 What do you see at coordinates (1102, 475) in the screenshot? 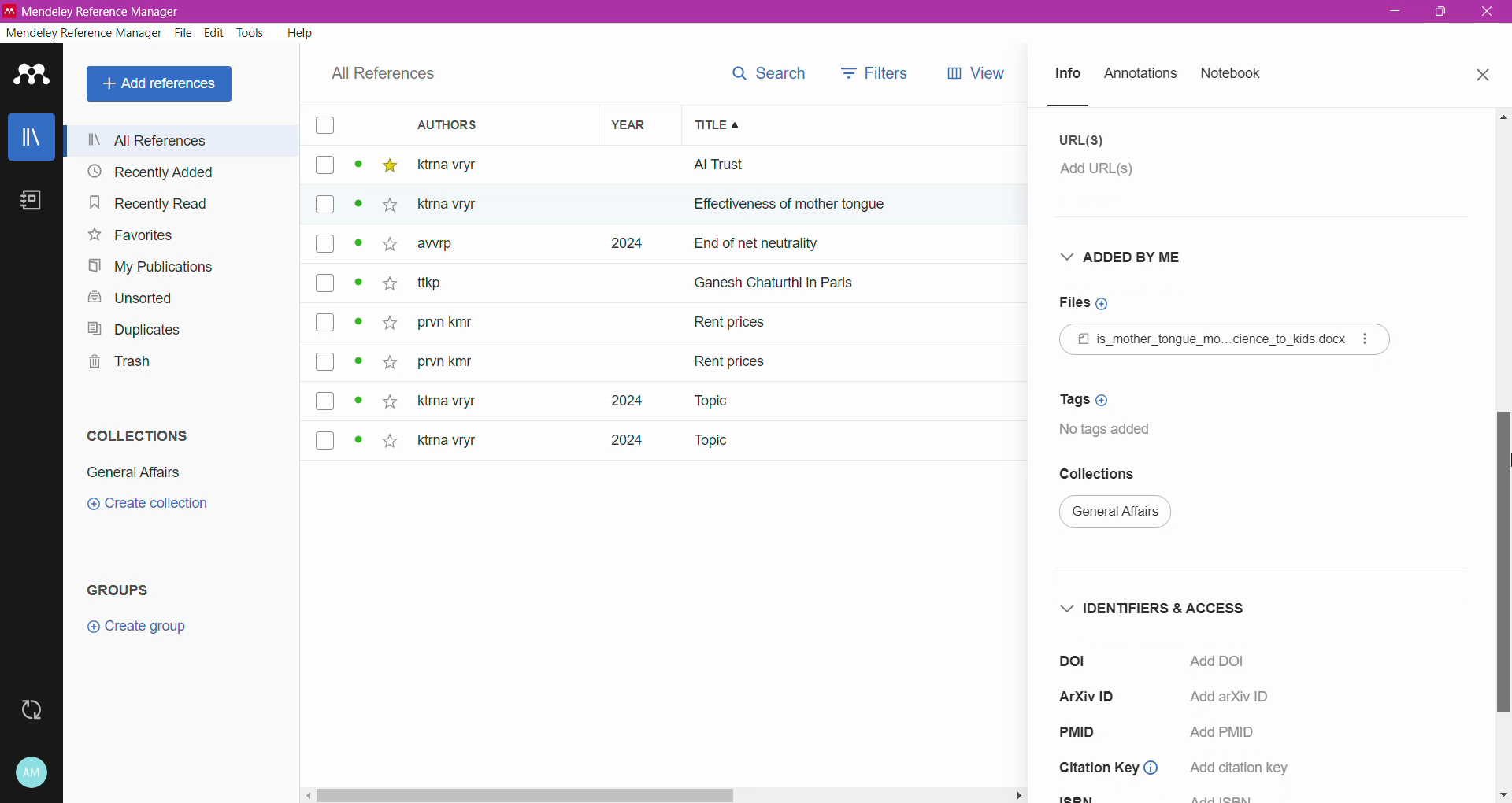
I see `Collections` at bounding box center [1102, 475].